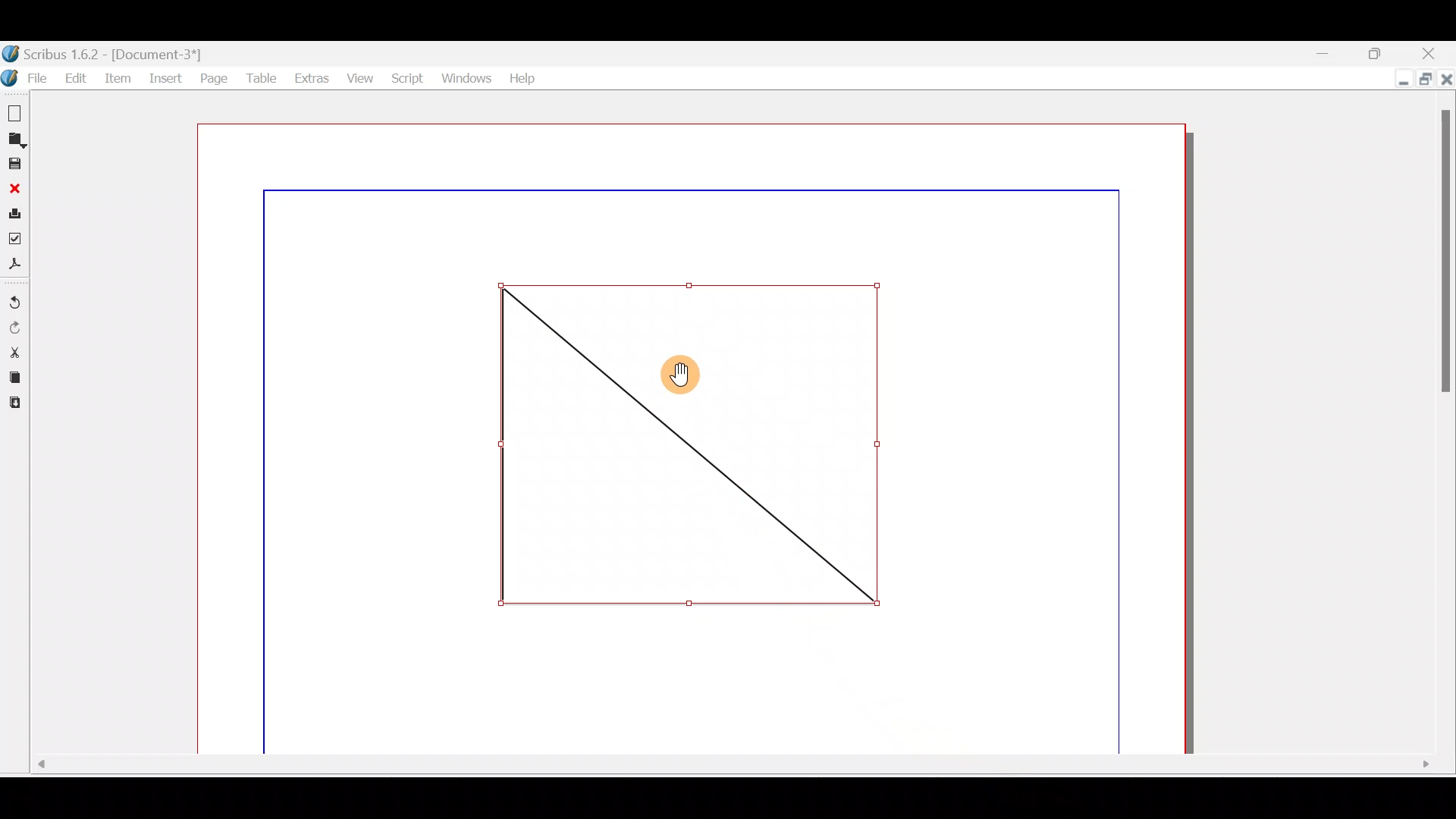 The width and height of the screenshot is (1456, 819). What do you see at coordinates (17, 328) in the screenshot?
I see `Redo` at bounding box center [17, 328].